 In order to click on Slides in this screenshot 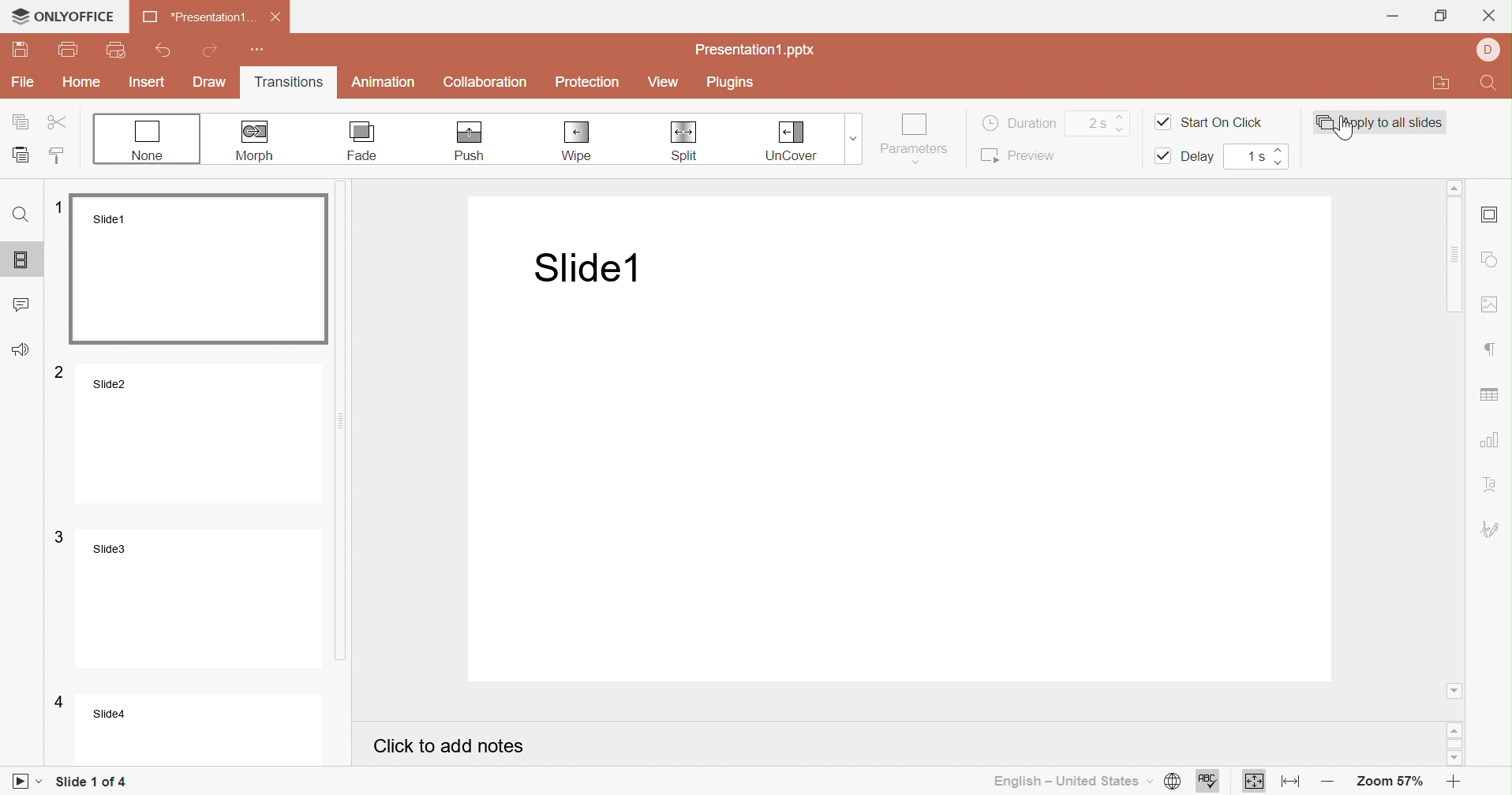, I will do `click(20, 259)`.